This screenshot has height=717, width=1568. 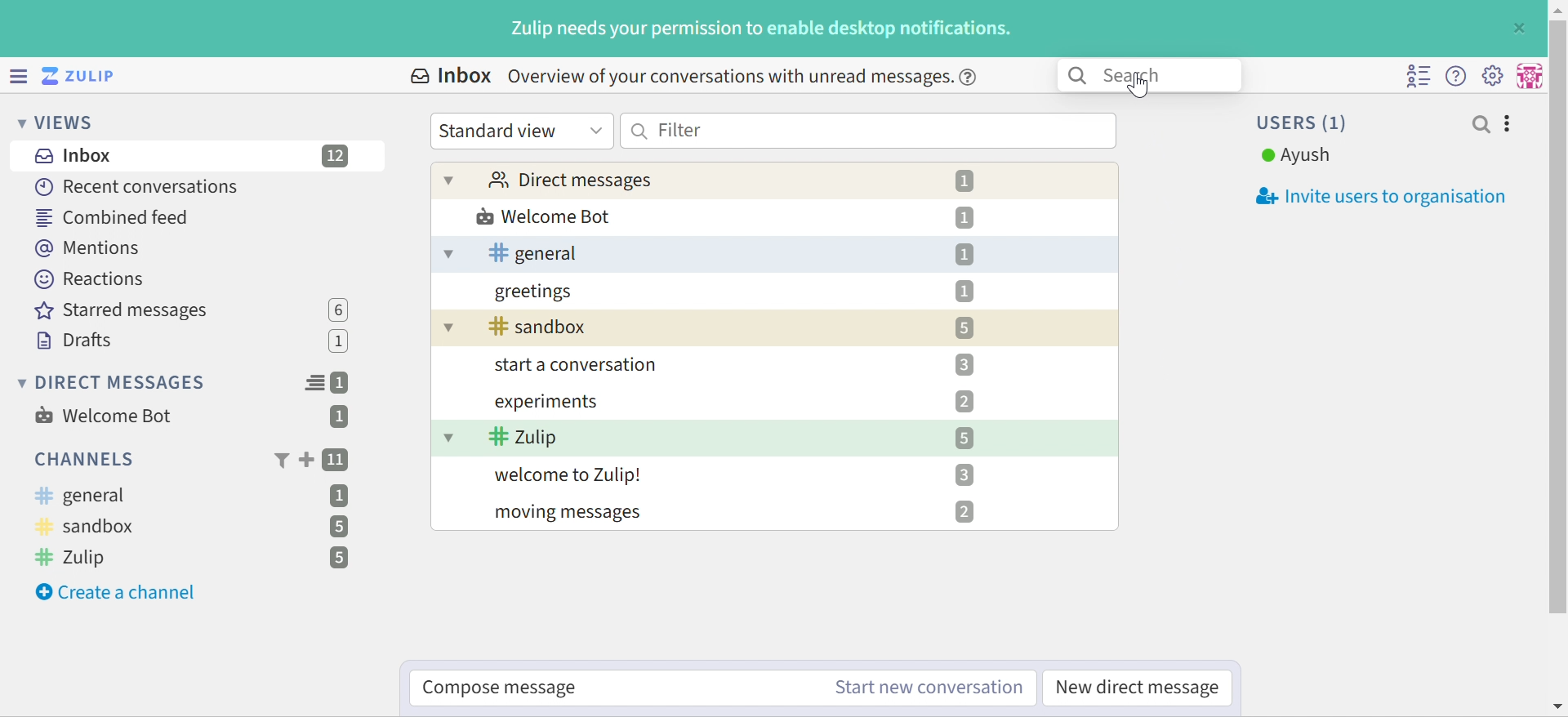 I want to click on Combined feed, so click(x=112, y=218).